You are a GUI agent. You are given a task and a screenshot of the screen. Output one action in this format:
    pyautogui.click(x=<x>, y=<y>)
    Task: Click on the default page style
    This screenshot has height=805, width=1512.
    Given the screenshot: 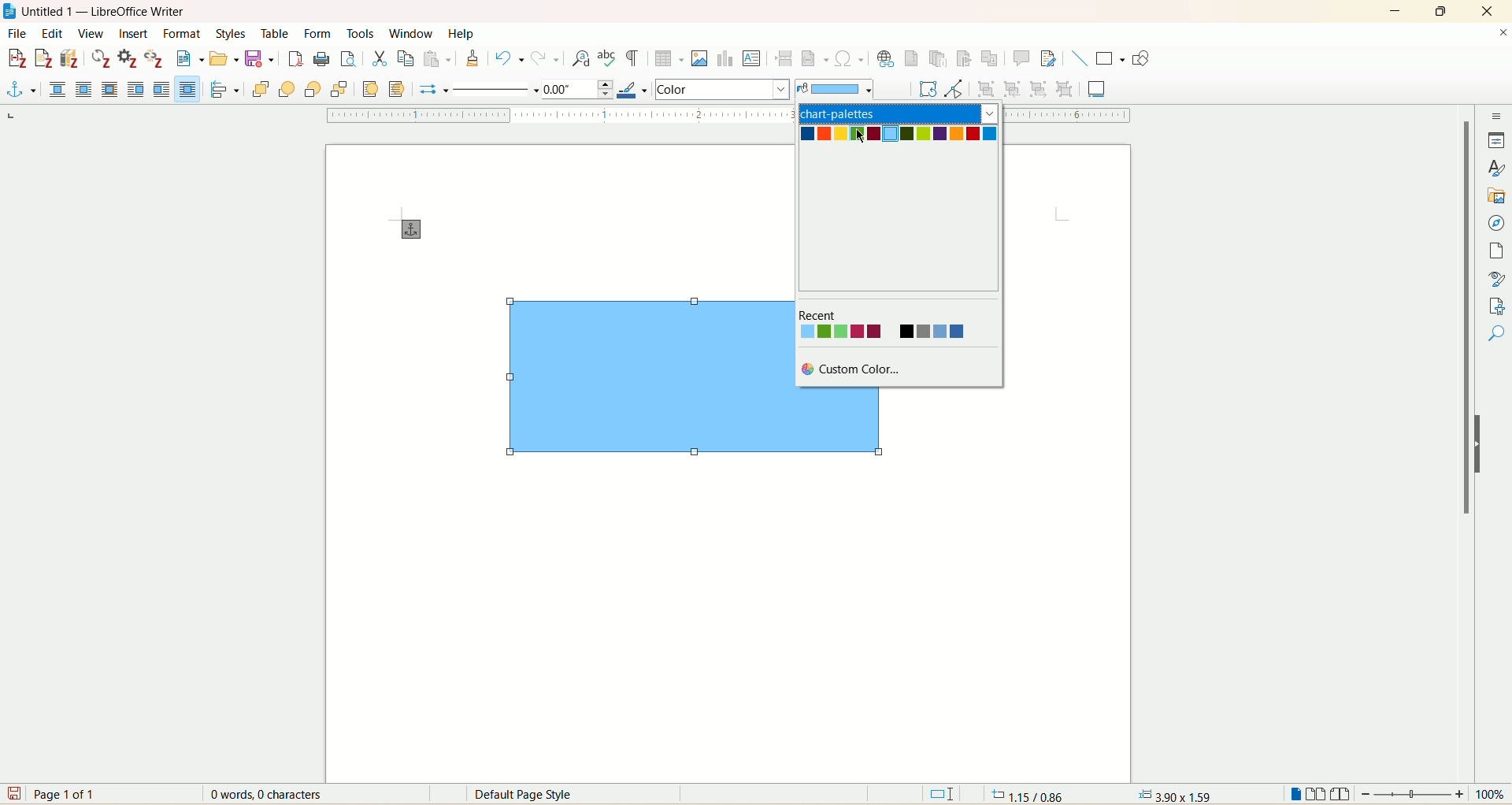 What is the action you would take?
    pyautogui.click(x=537, y=794)
    